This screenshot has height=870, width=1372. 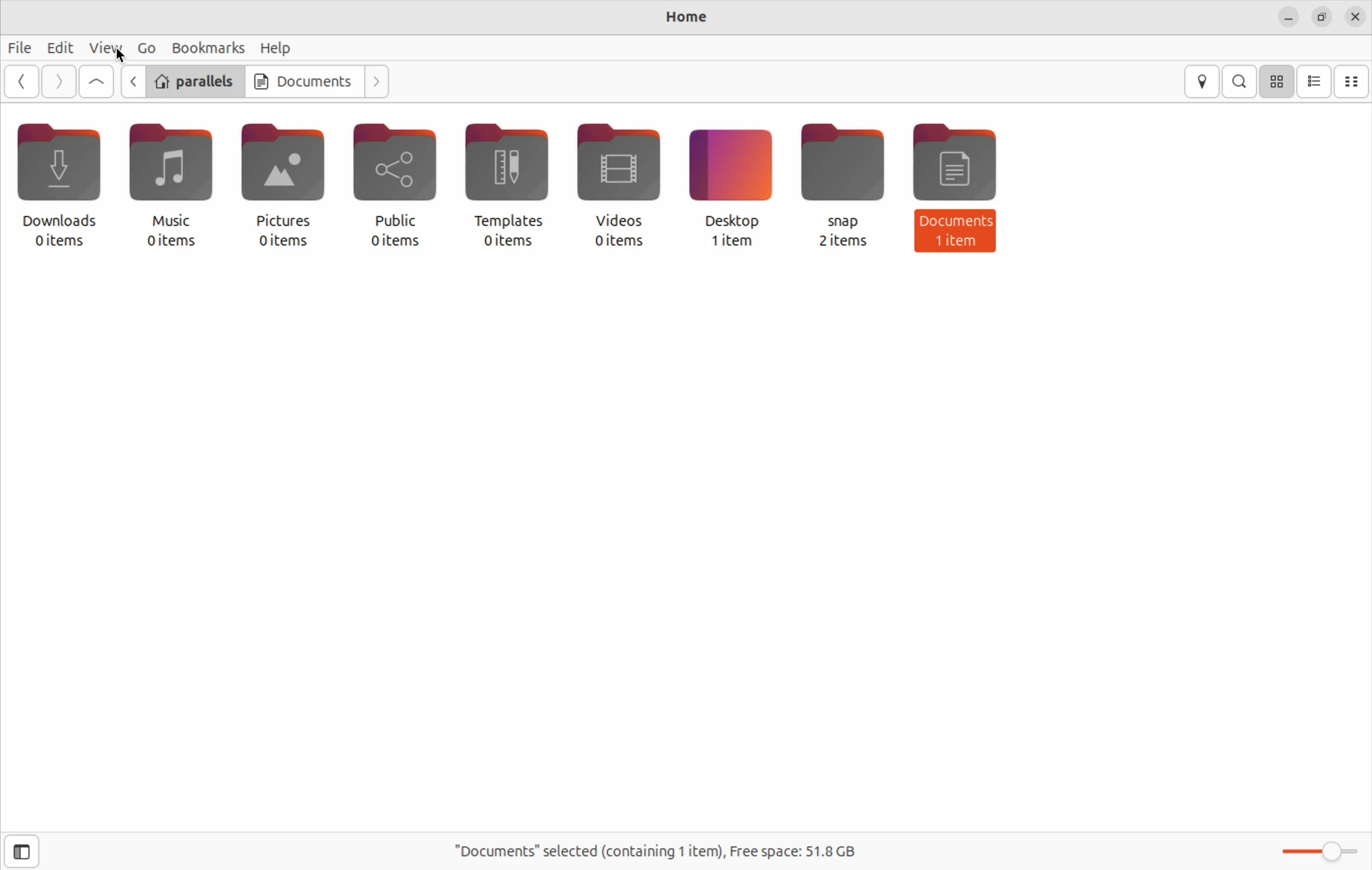 I want to click on Templates, so click(x=509, y=173).